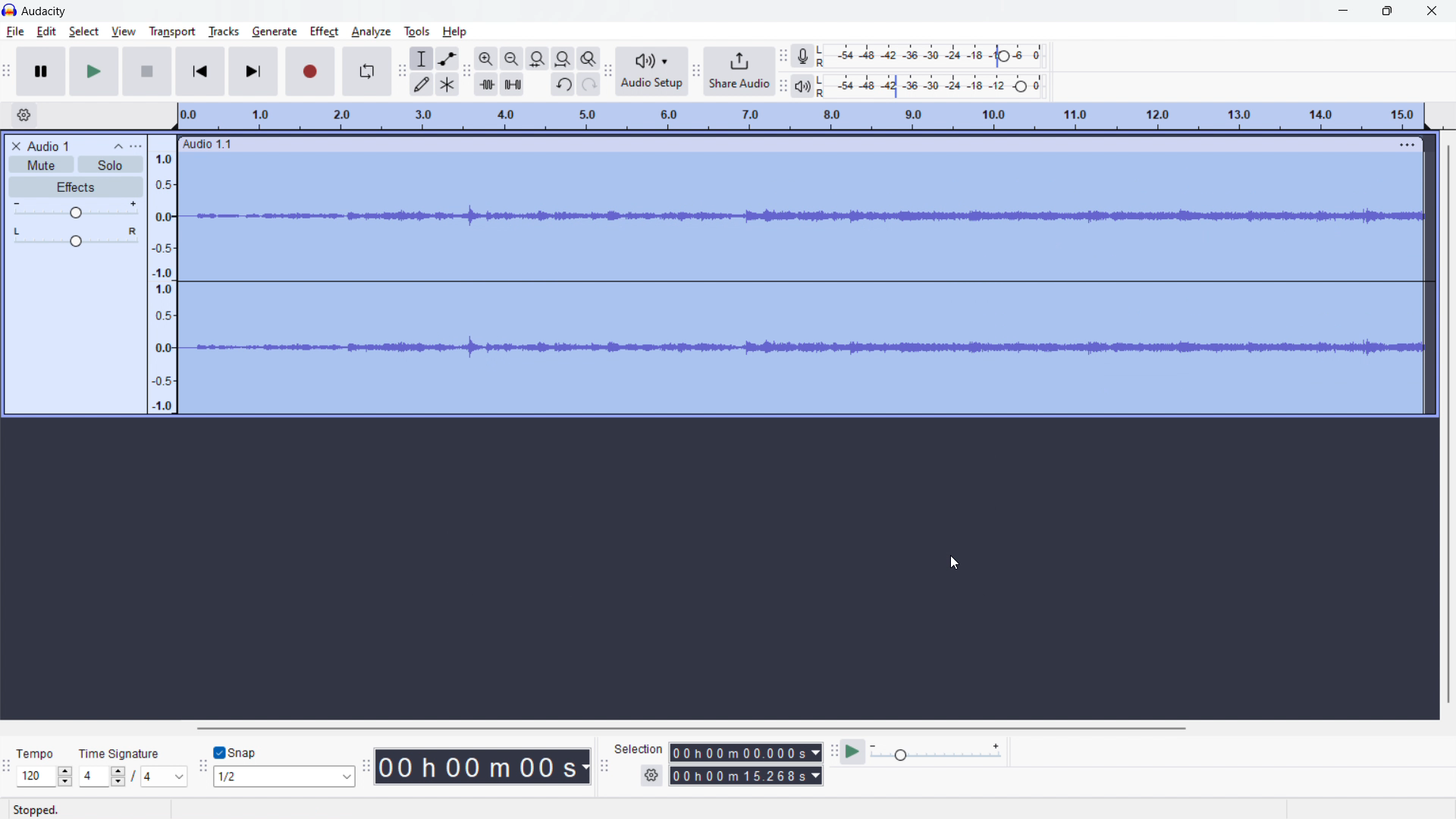 The height and width of the screenshot is (819, 1456). I want to click on select, so click(84, 32).